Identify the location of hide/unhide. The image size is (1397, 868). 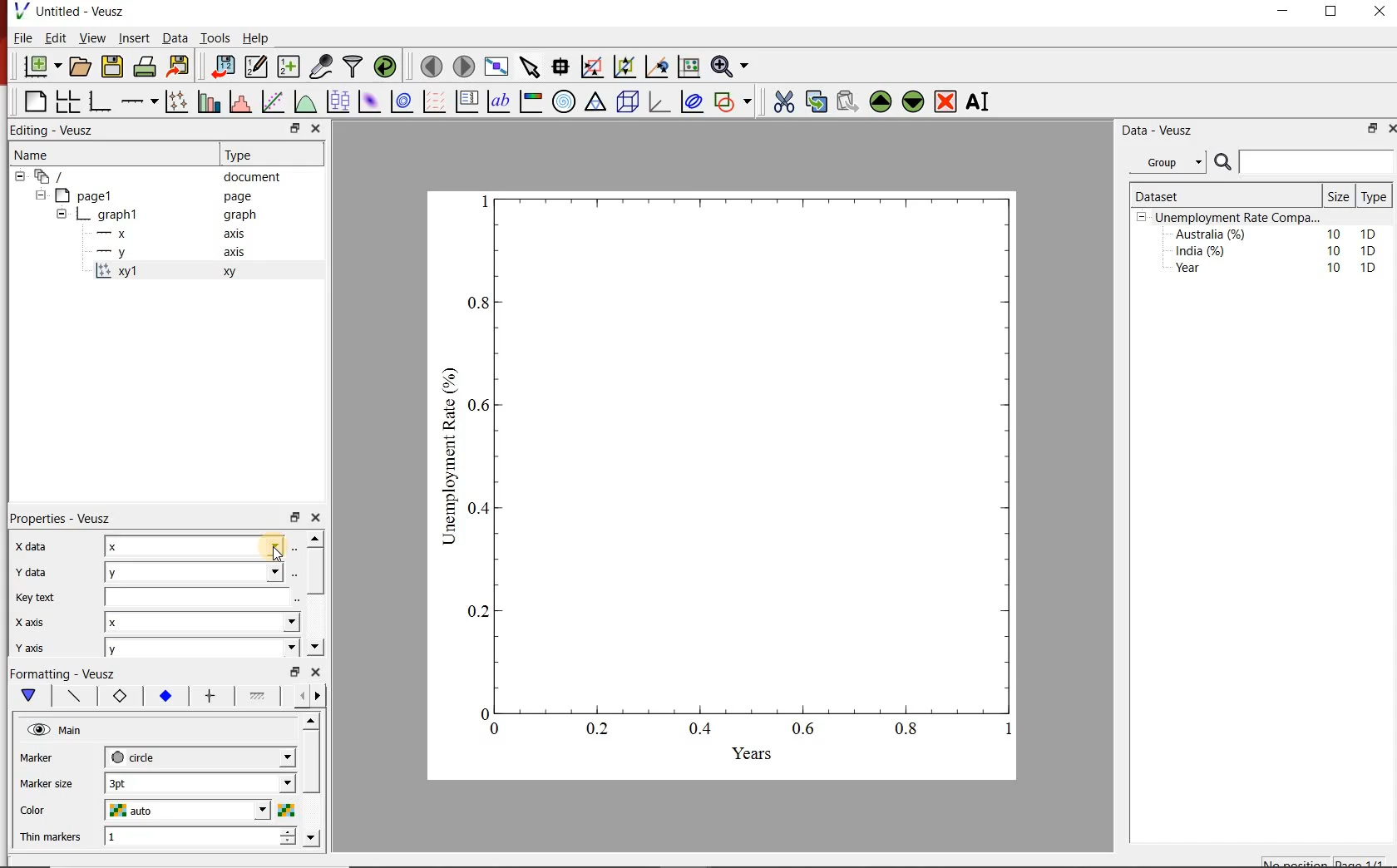
(38, 729).